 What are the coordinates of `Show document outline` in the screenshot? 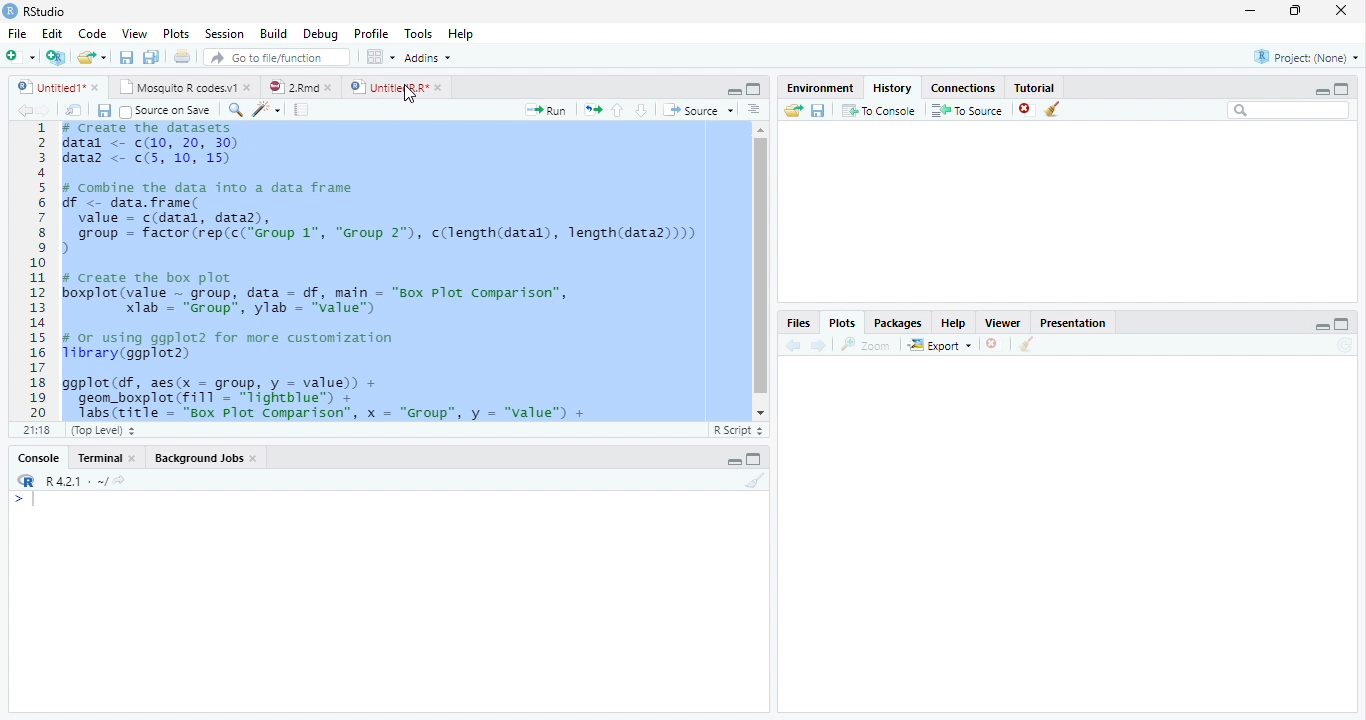 It's located at (754, 109).